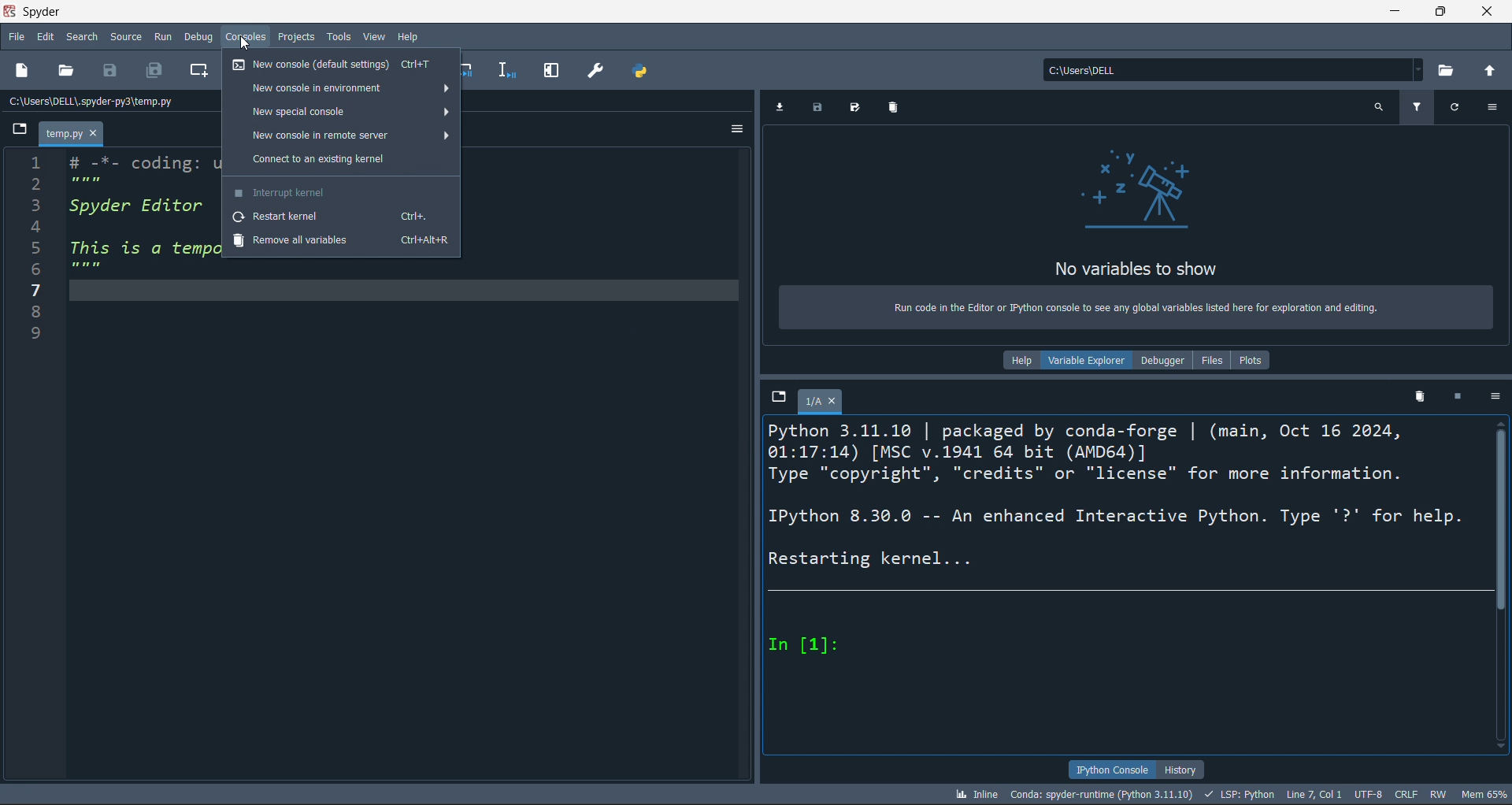  Describe the element at coordinates (125, 37) in the screenshot. I see `source` at that location.